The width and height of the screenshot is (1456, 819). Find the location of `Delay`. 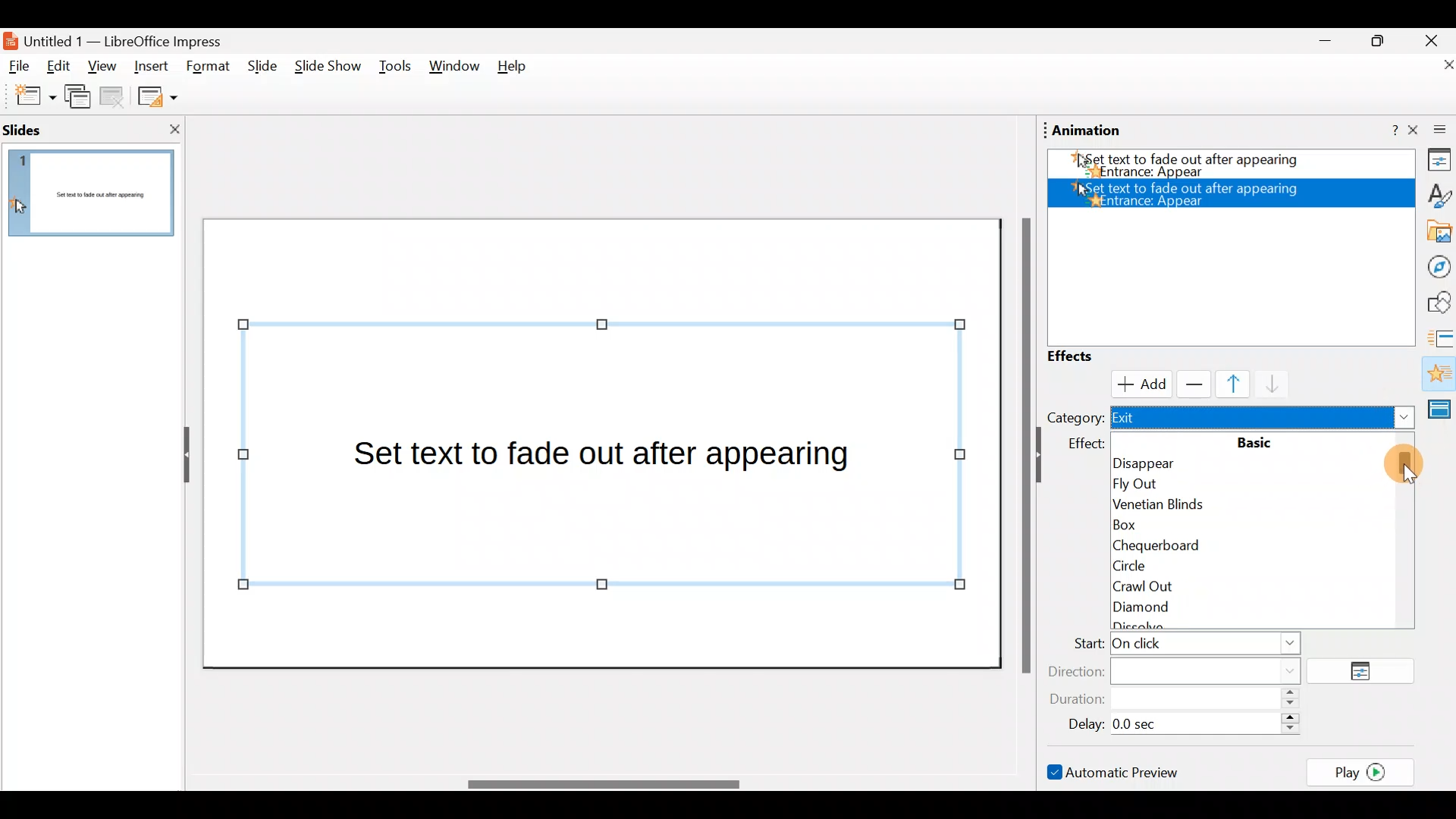

Delay is located at coordinates (1179, 722).